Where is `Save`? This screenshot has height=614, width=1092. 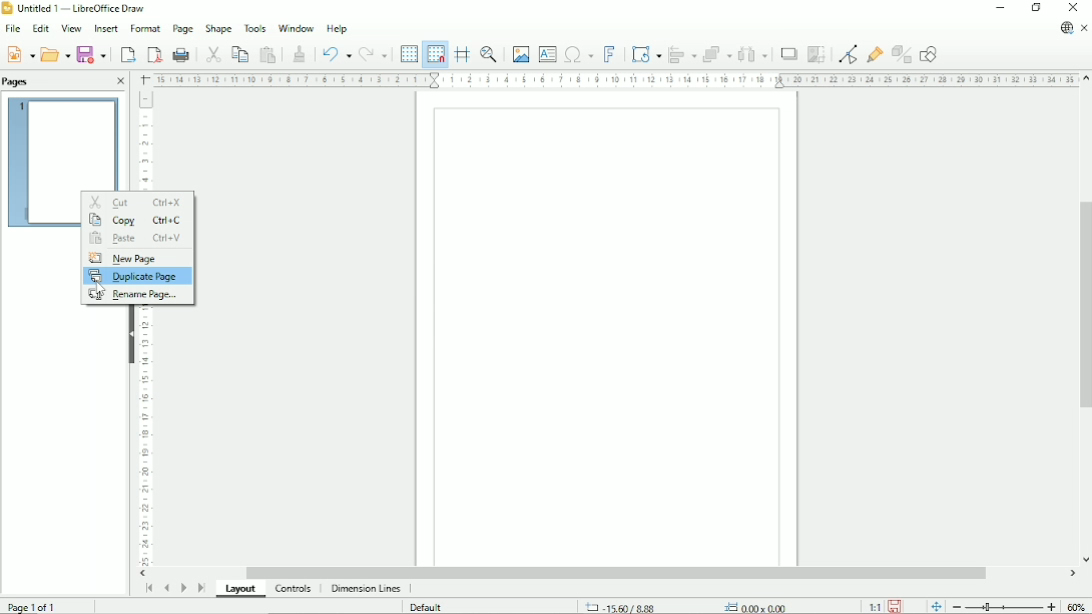 Save is located at coordinates (93, 54).